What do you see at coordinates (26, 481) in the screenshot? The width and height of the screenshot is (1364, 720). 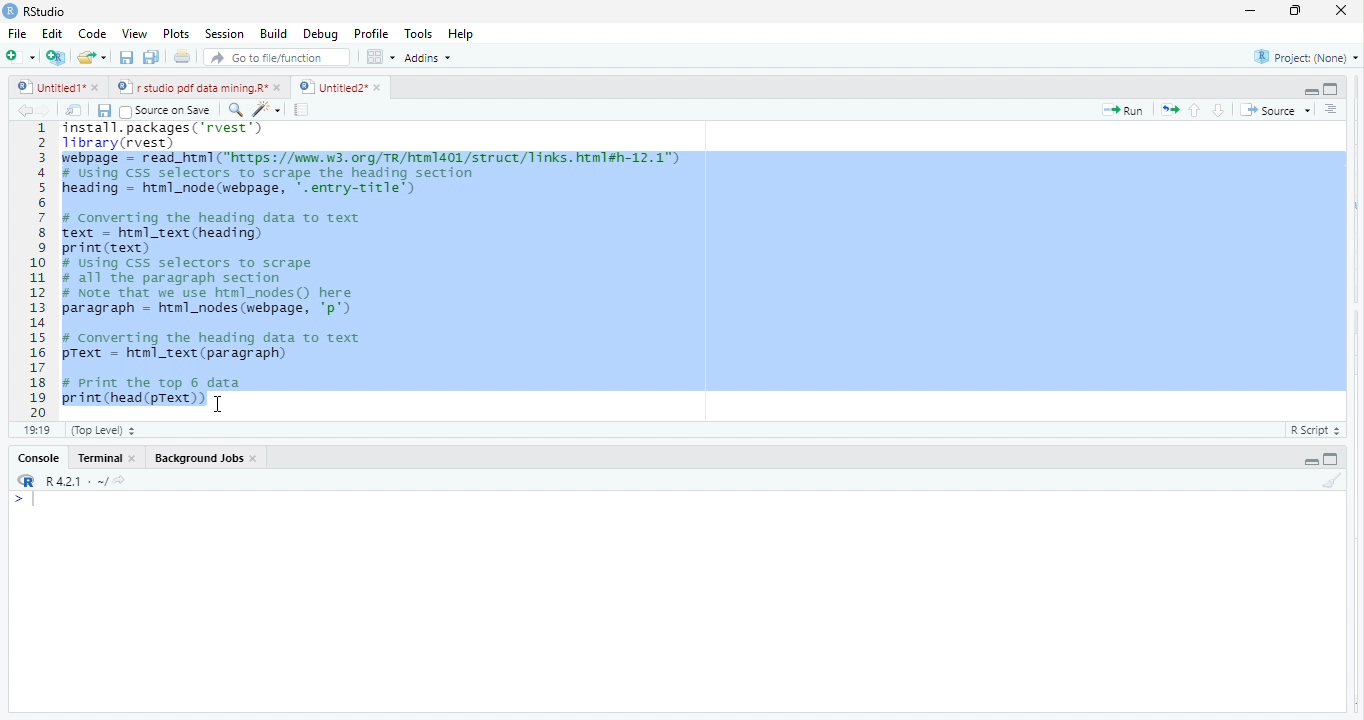 I see `rs studio logo` at bounding box center [26, 481].